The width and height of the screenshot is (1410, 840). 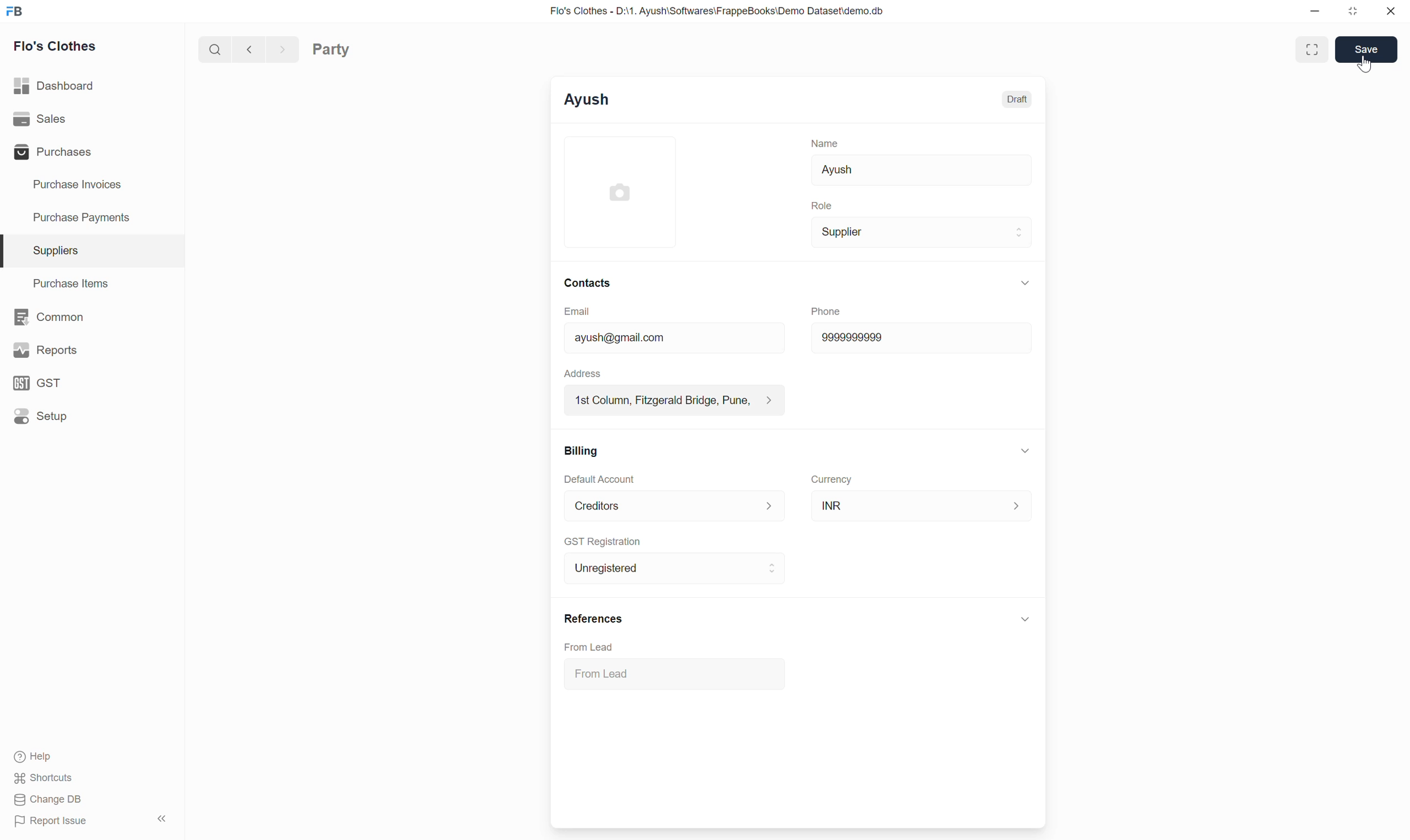 What do you see at coordinates (92, 350) in the screenshot?
I see `Reports` at bounding box center [92, 350].